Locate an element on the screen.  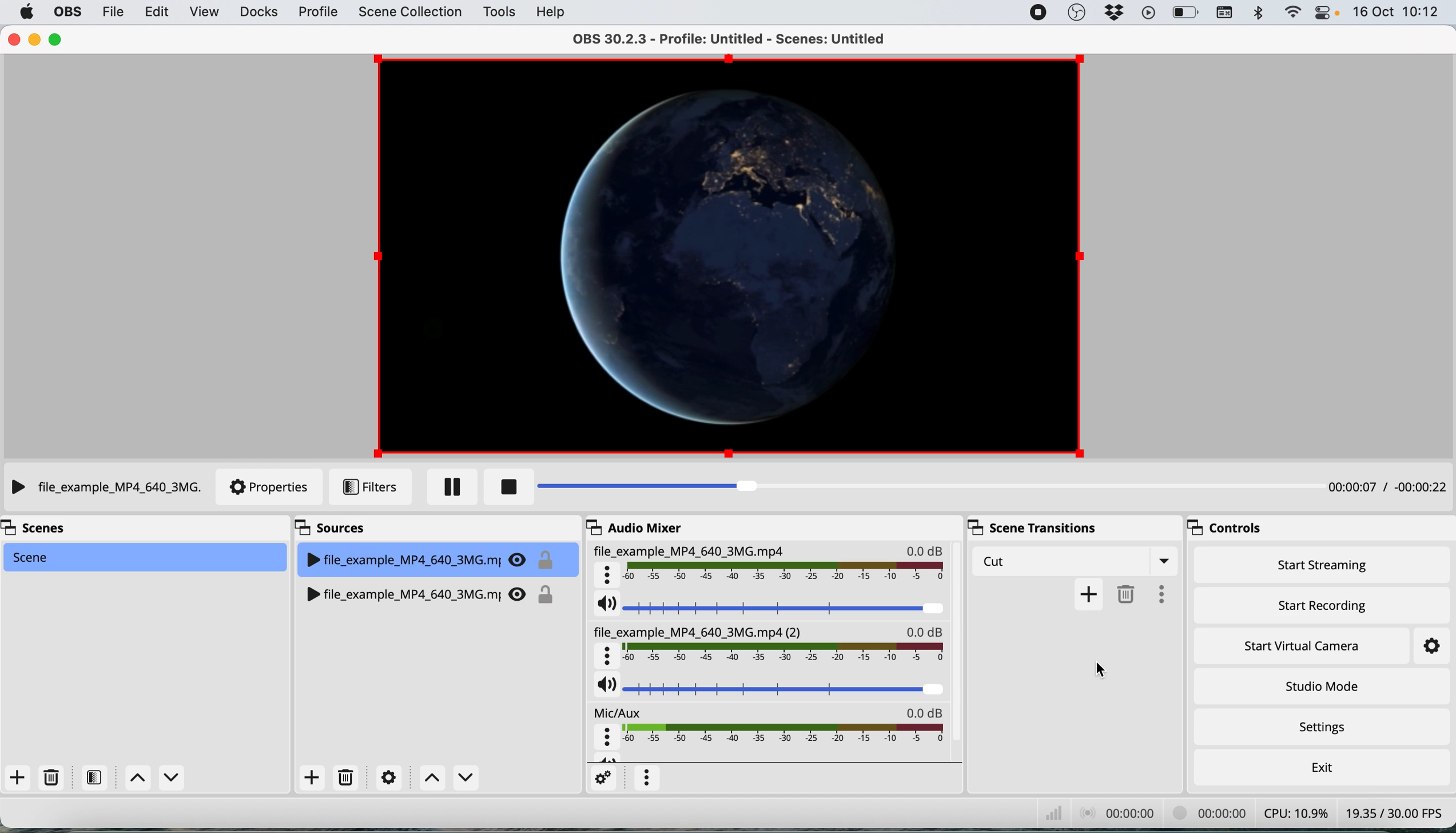
settings is located at coordinates (600, 778).